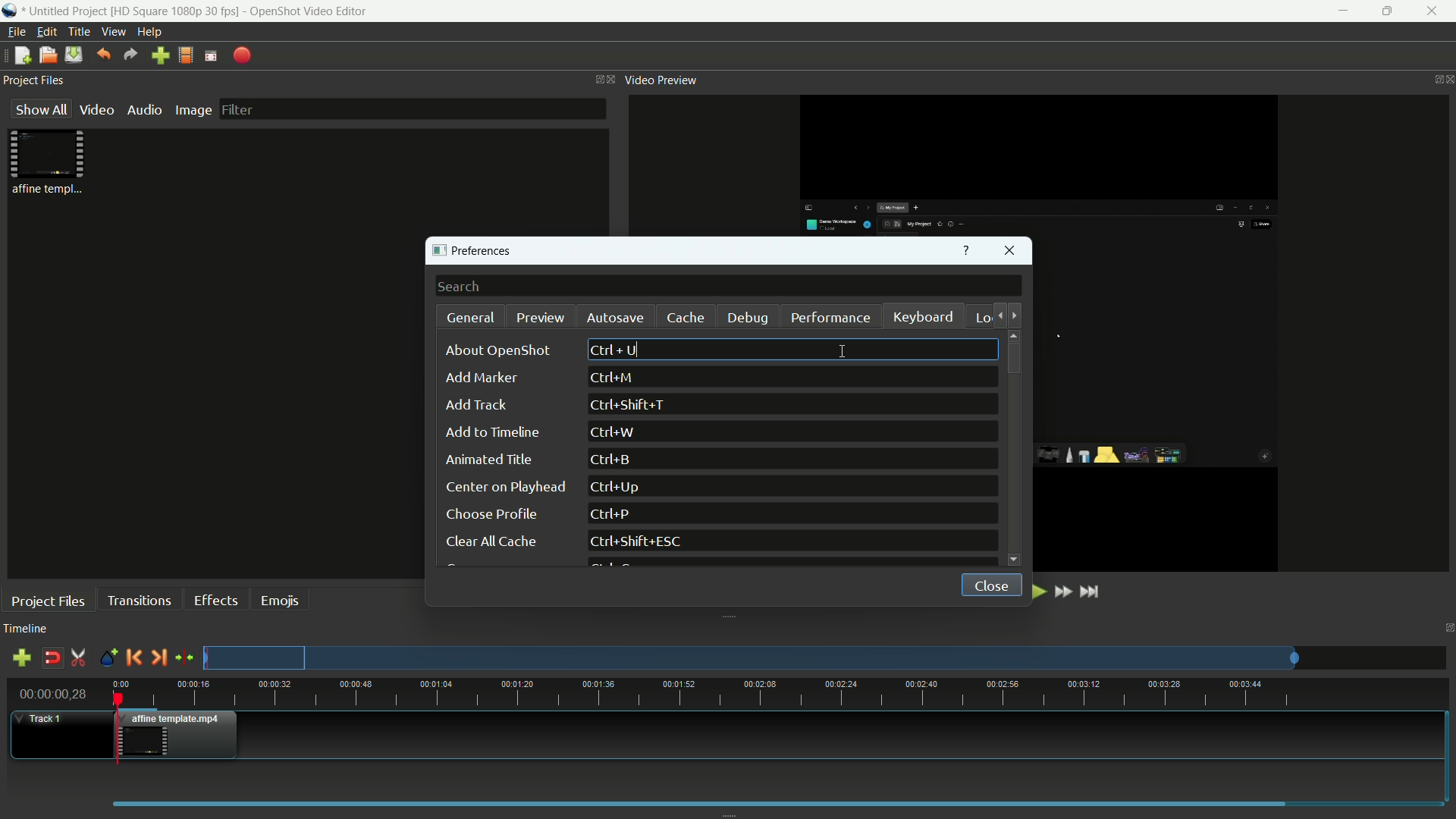 This screenshot has width=1456, height=819. I want to click on audio, so click(146, 110).